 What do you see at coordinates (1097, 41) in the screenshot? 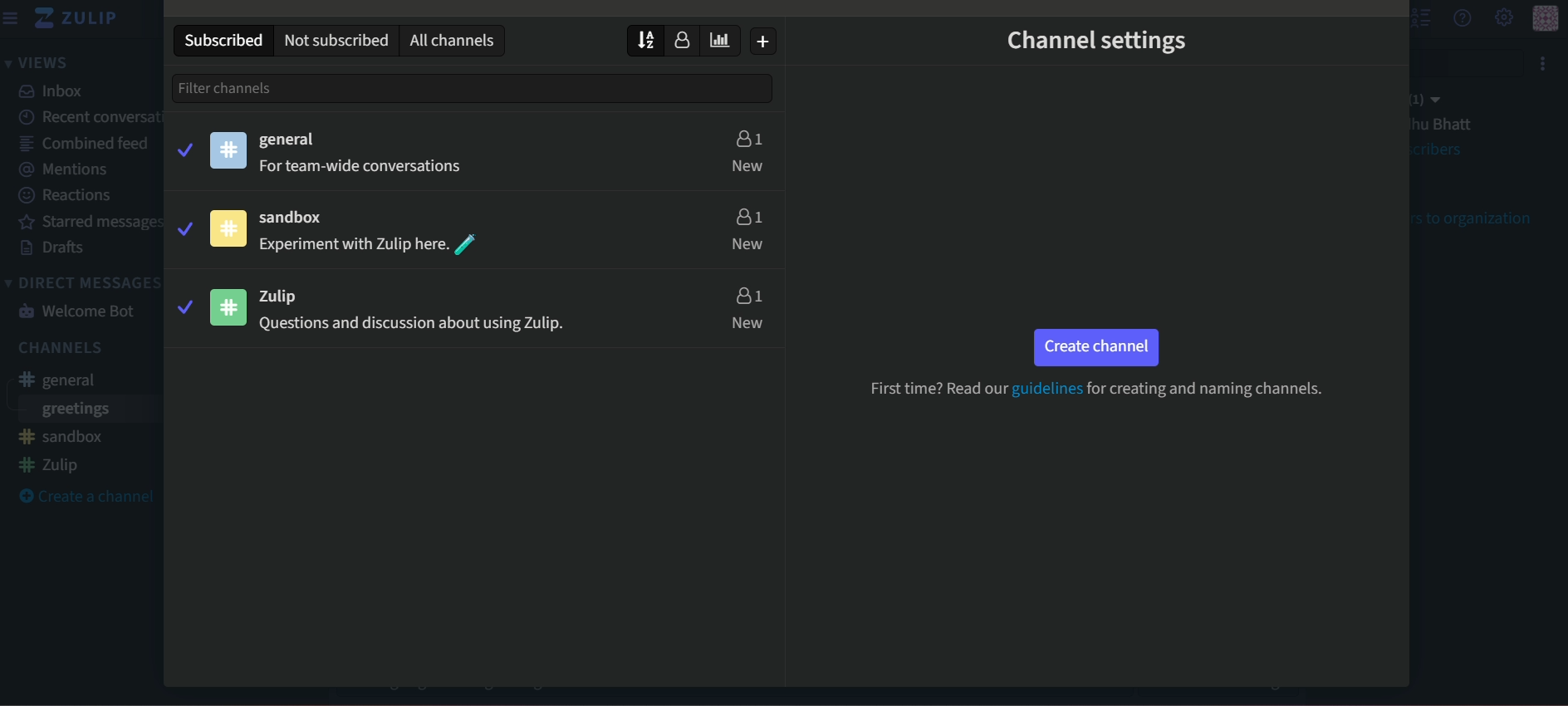
I see `channel settings` at bounding box center [1097, 41].